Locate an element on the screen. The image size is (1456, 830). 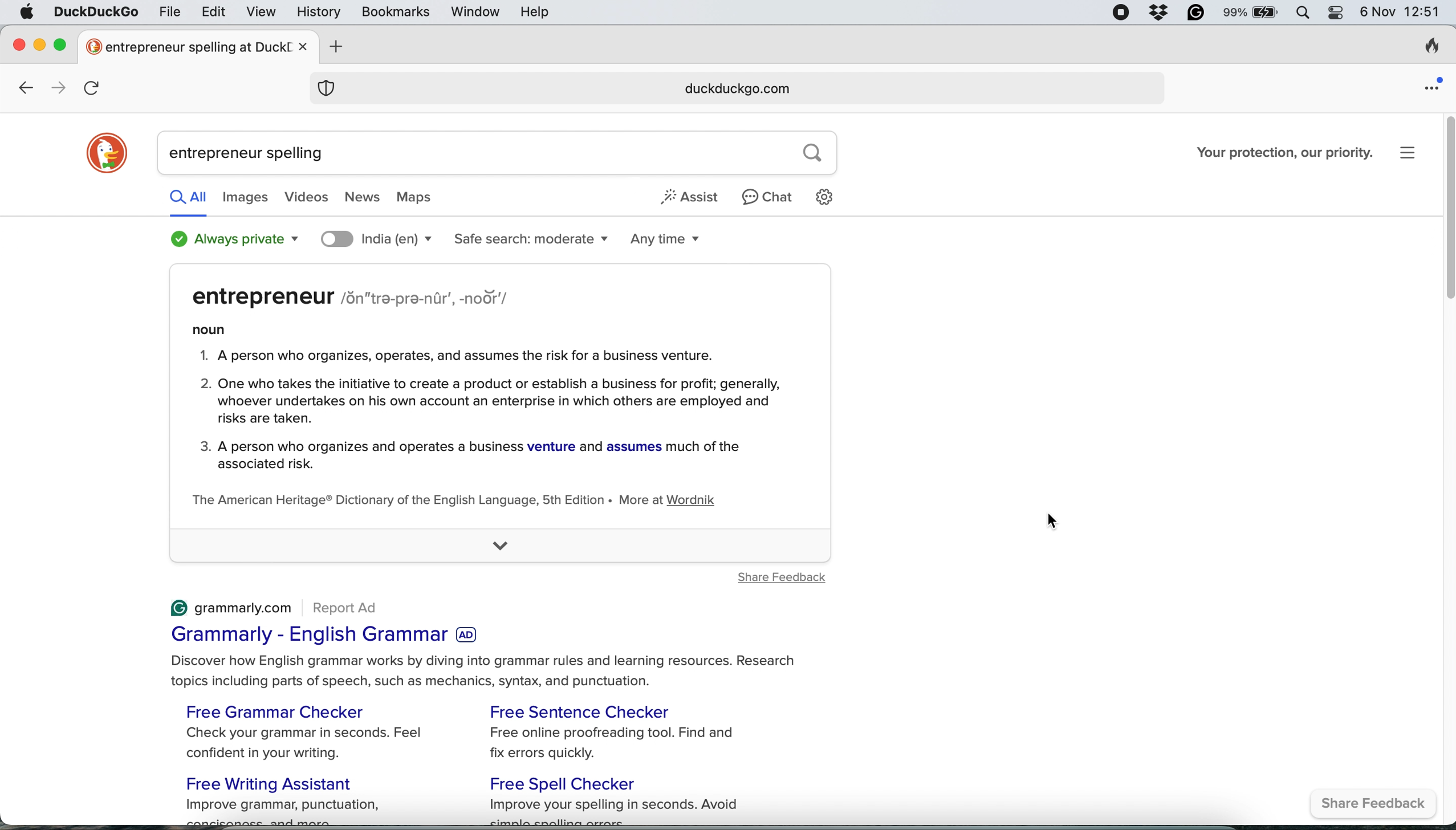
close is located at coordinates (19, 43).